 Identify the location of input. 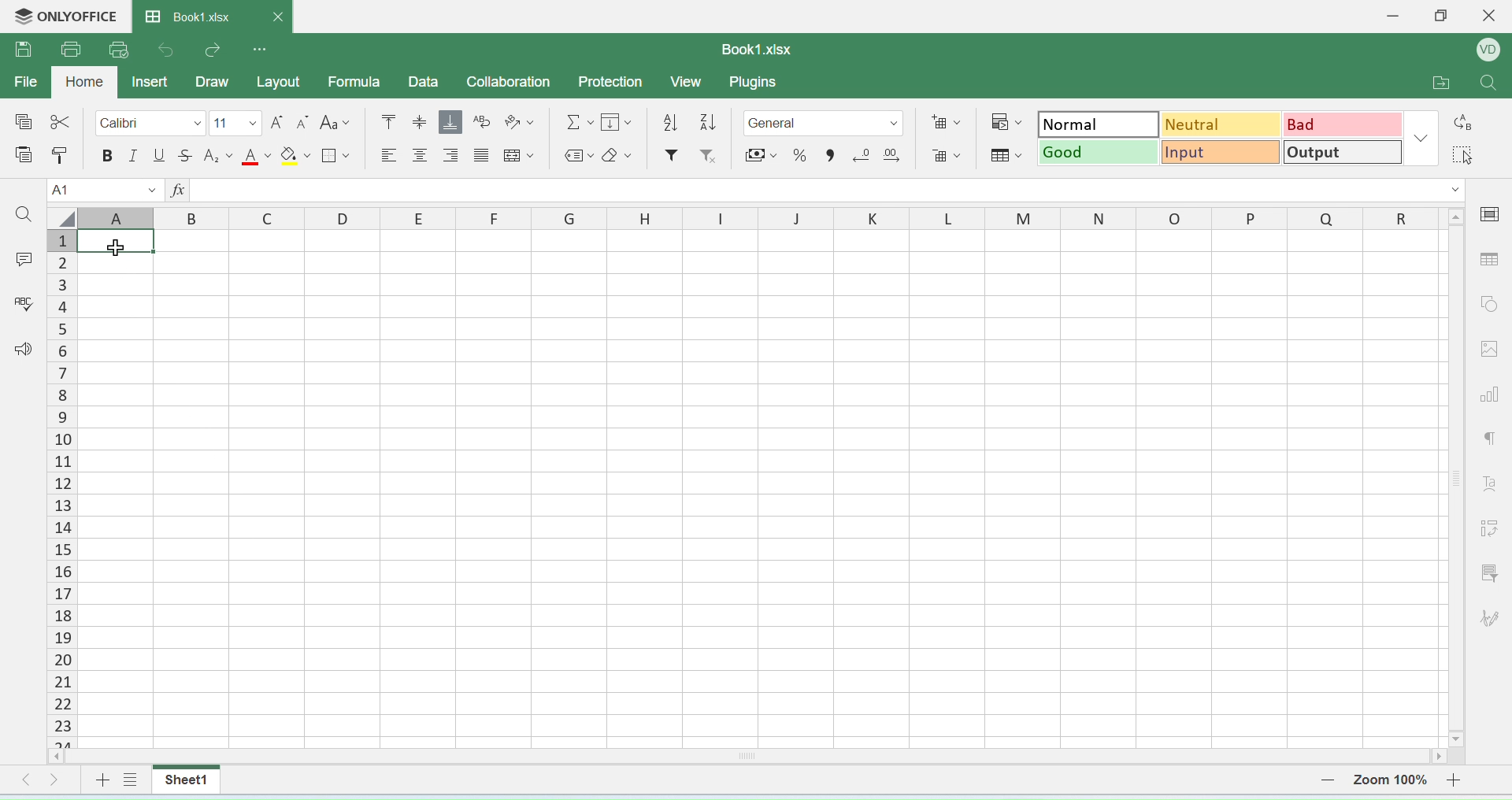
(1218, 151).